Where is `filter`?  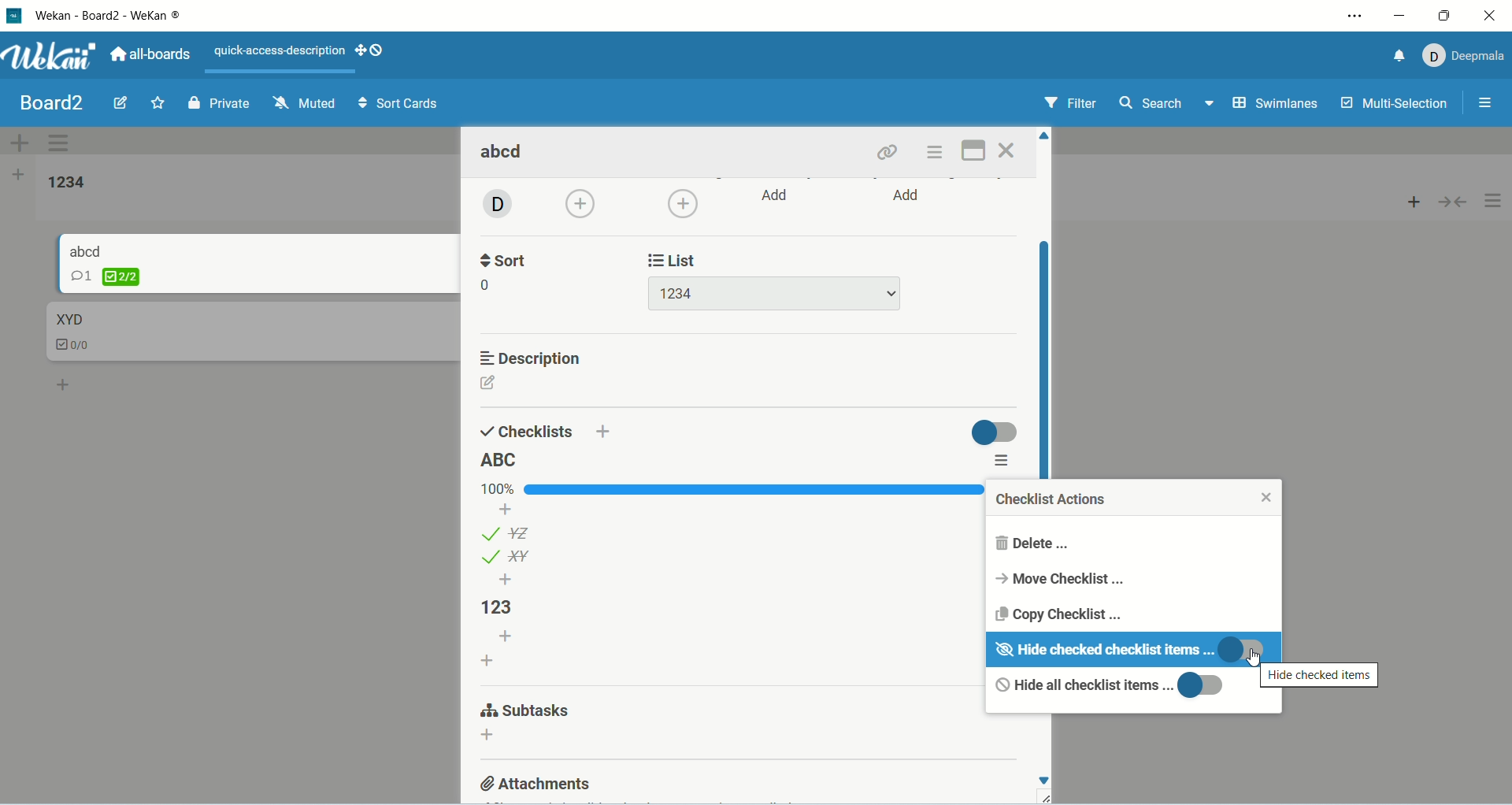
filter is located at coordinates (1070, 103).